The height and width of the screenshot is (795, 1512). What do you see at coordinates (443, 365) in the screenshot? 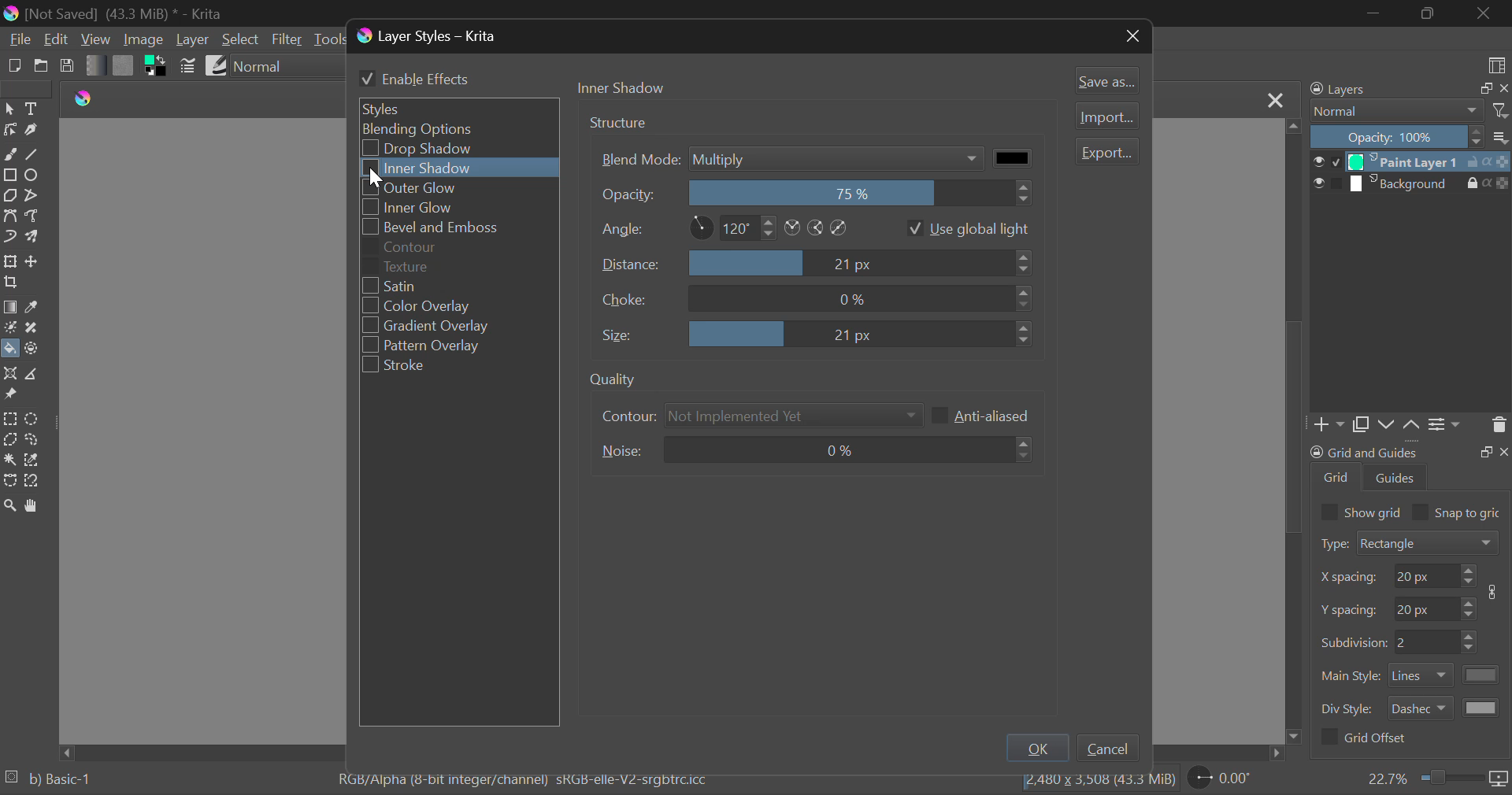
I see `Stroke` at bounding box center [443, 365].